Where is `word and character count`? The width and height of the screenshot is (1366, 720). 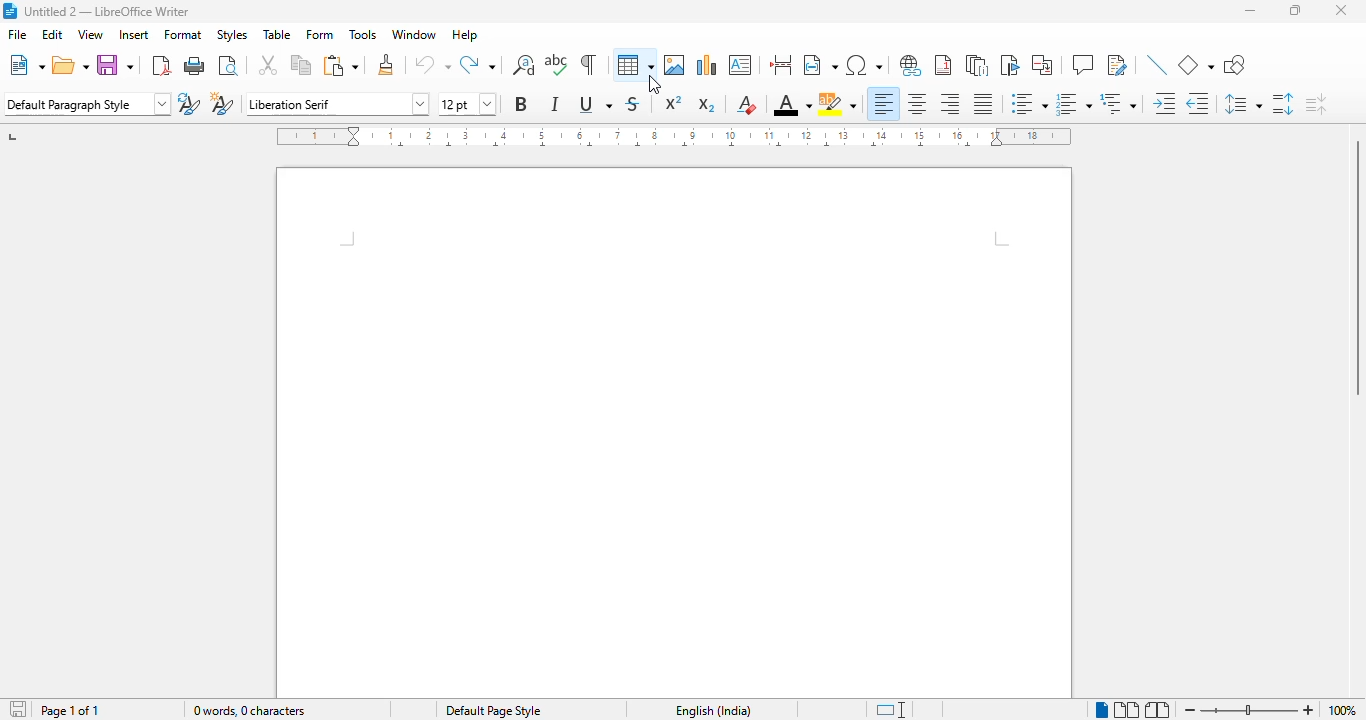
word and character count is located at coordinates (248, 710).